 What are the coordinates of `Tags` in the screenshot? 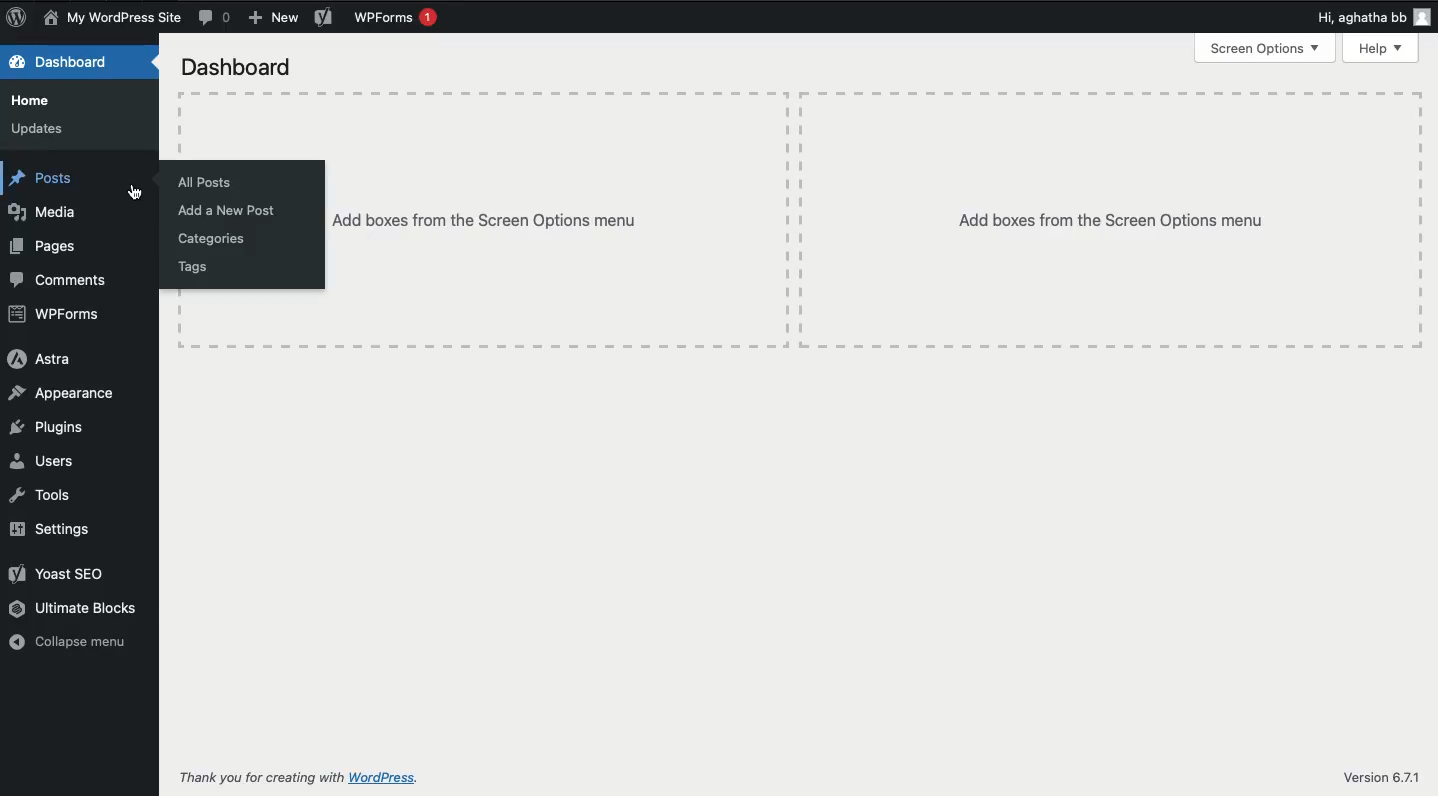 It's located at (192, 267).